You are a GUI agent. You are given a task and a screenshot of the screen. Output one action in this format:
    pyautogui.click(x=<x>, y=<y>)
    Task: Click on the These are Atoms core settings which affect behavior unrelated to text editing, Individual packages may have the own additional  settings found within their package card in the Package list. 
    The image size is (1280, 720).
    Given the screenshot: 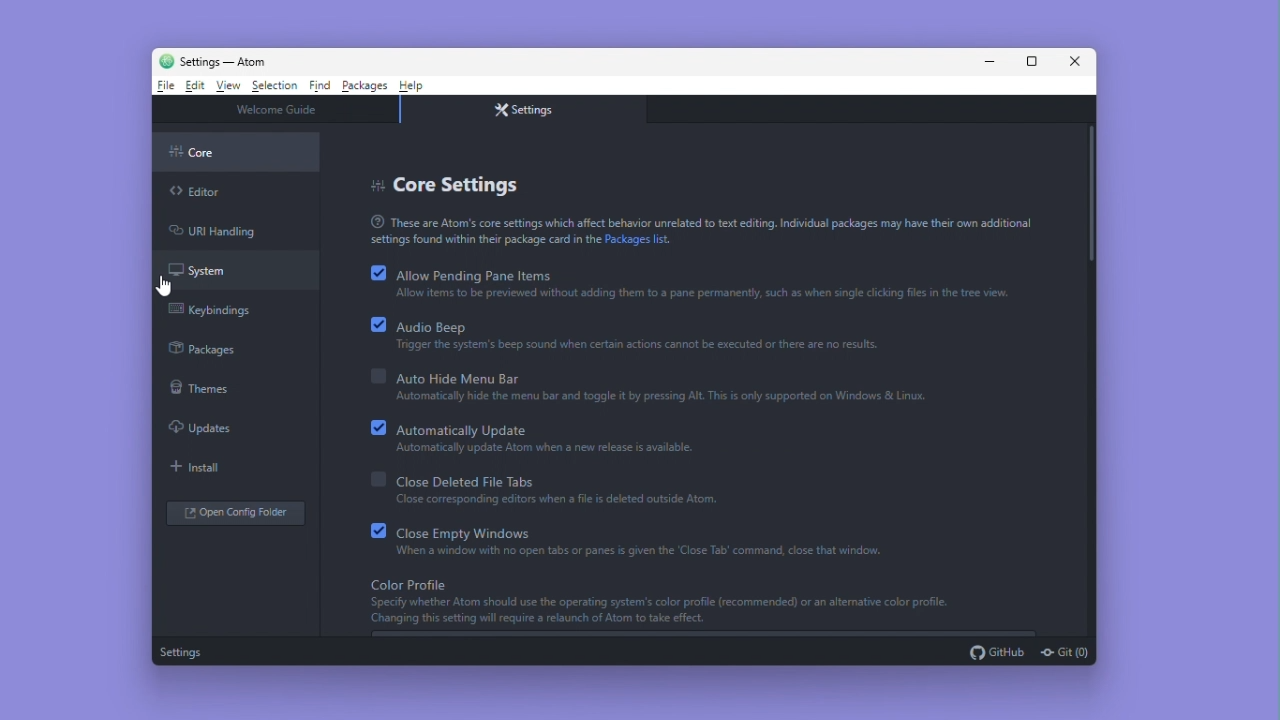 What is the action you would take?
    pyautogui.click(x=697, y=232)
    